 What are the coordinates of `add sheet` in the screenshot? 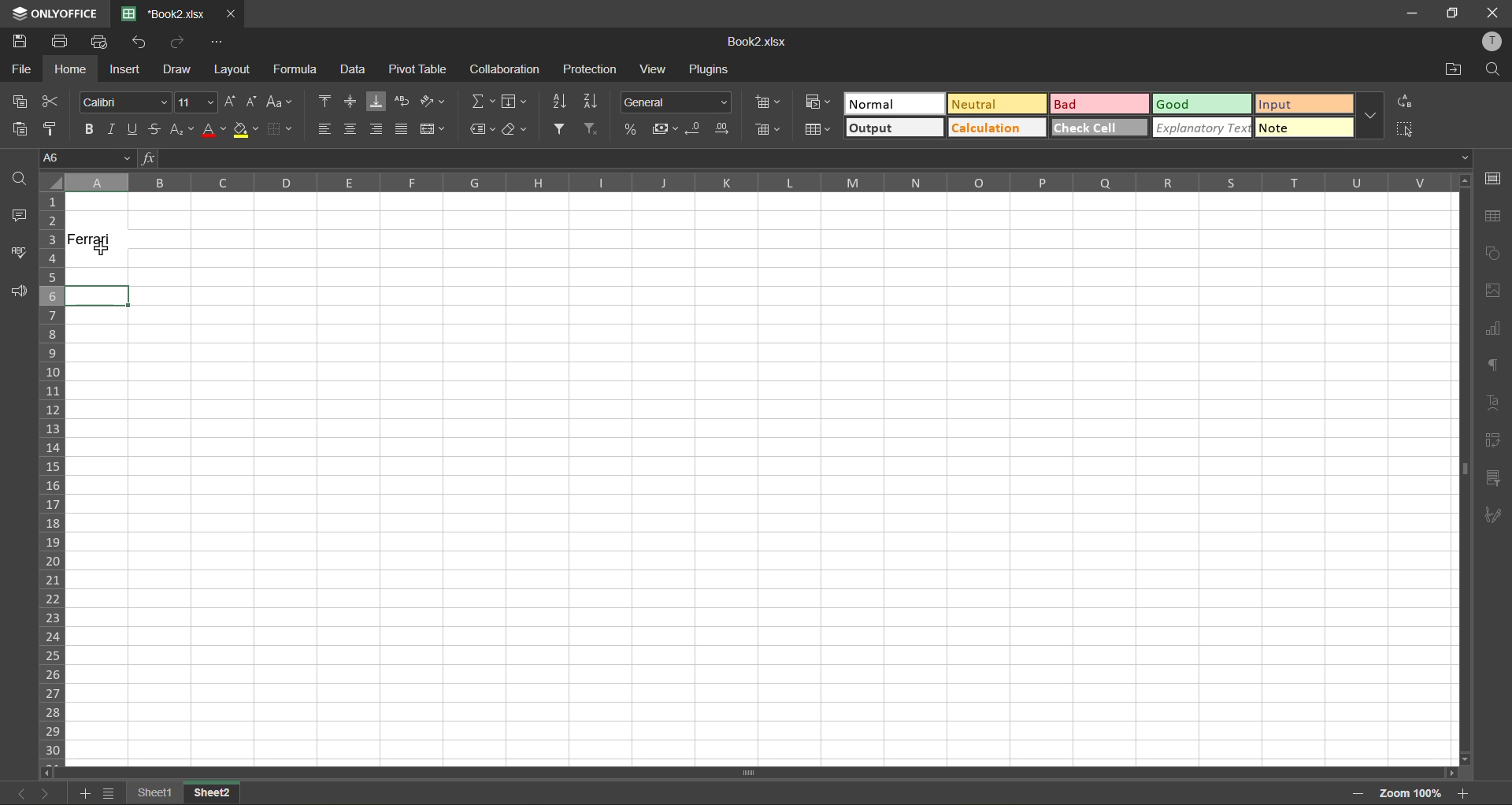 It's located at (87, 794).